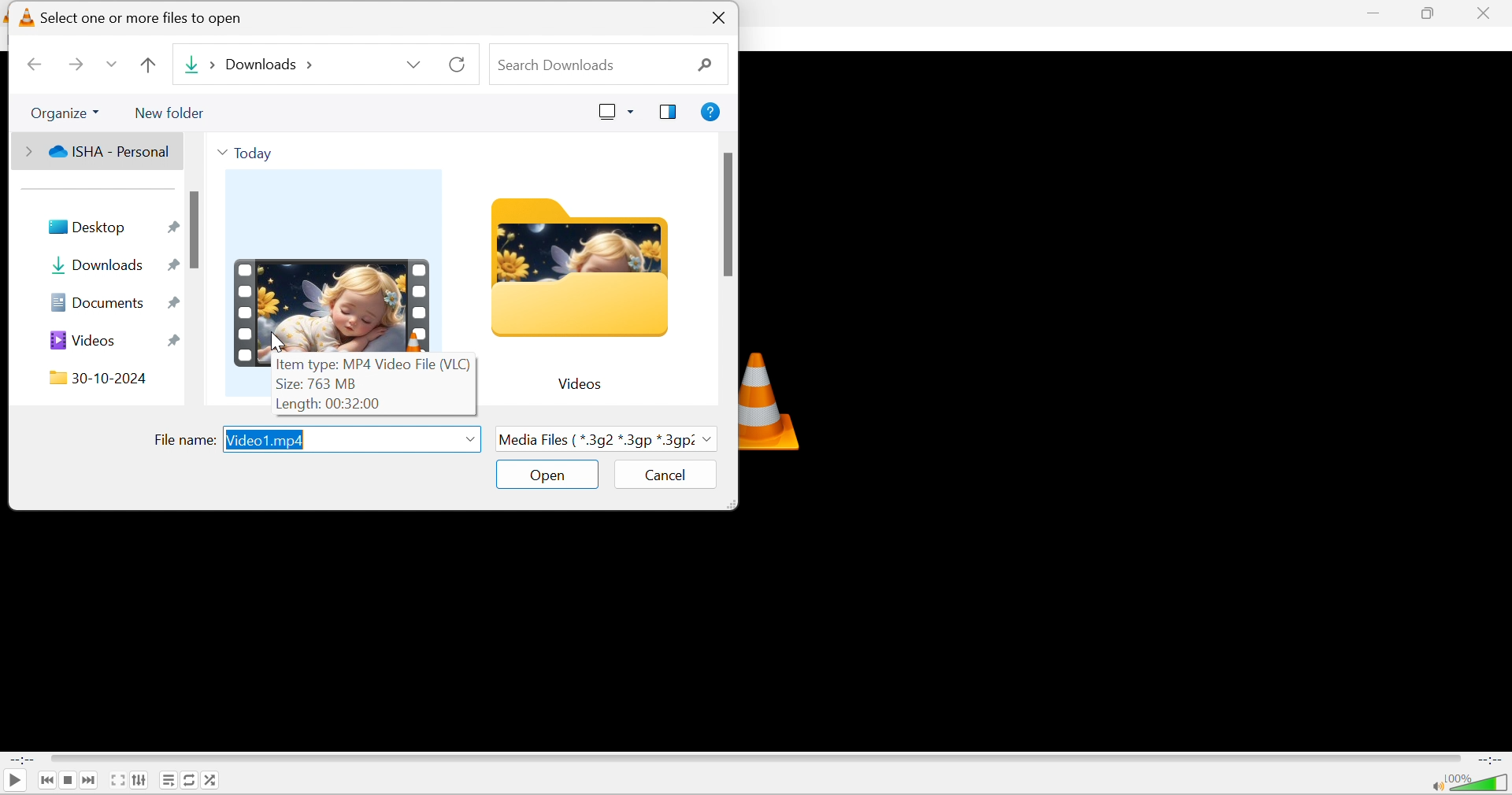 The width and height of the screenshot is (1512, 795). What do you see at coordinates (1436, 786) in the screenshot?
I see `Mute/unmute` at bounding box center [1436, 786].